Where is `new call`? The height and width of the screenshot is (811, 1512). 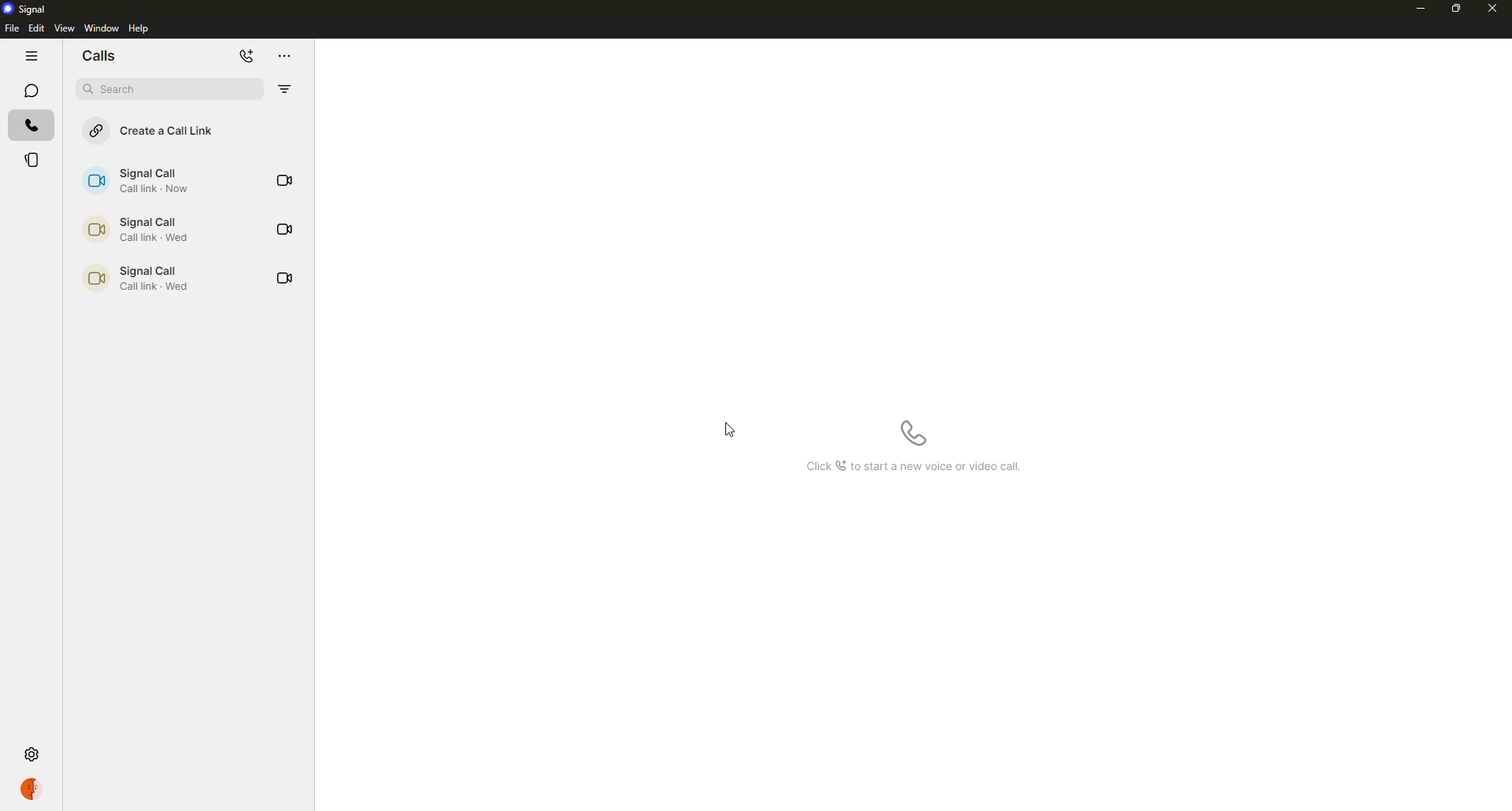 new call is located at coordinates (248, 57).